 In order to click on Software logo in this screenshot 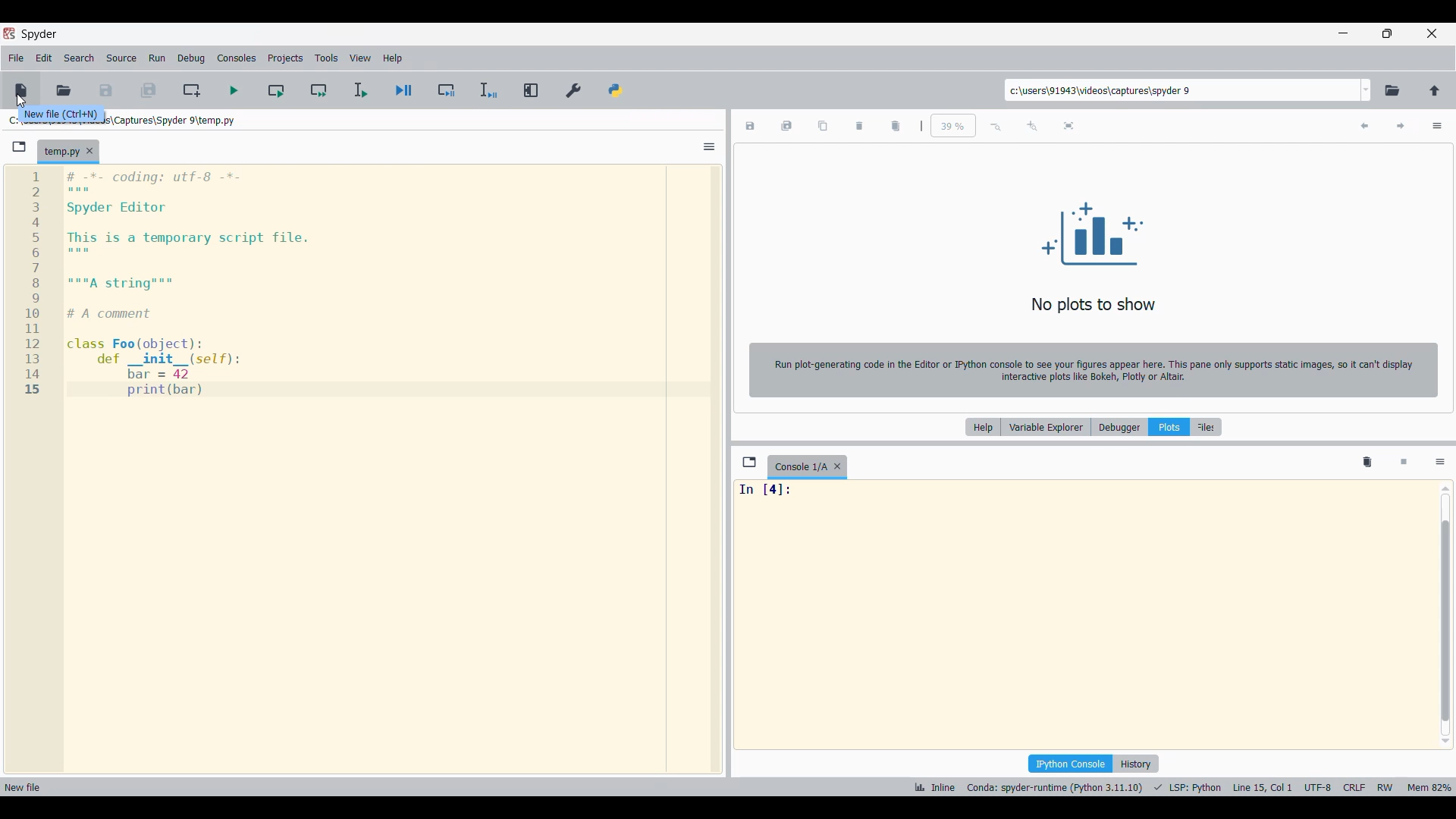, I will do `click(9, 33)`.